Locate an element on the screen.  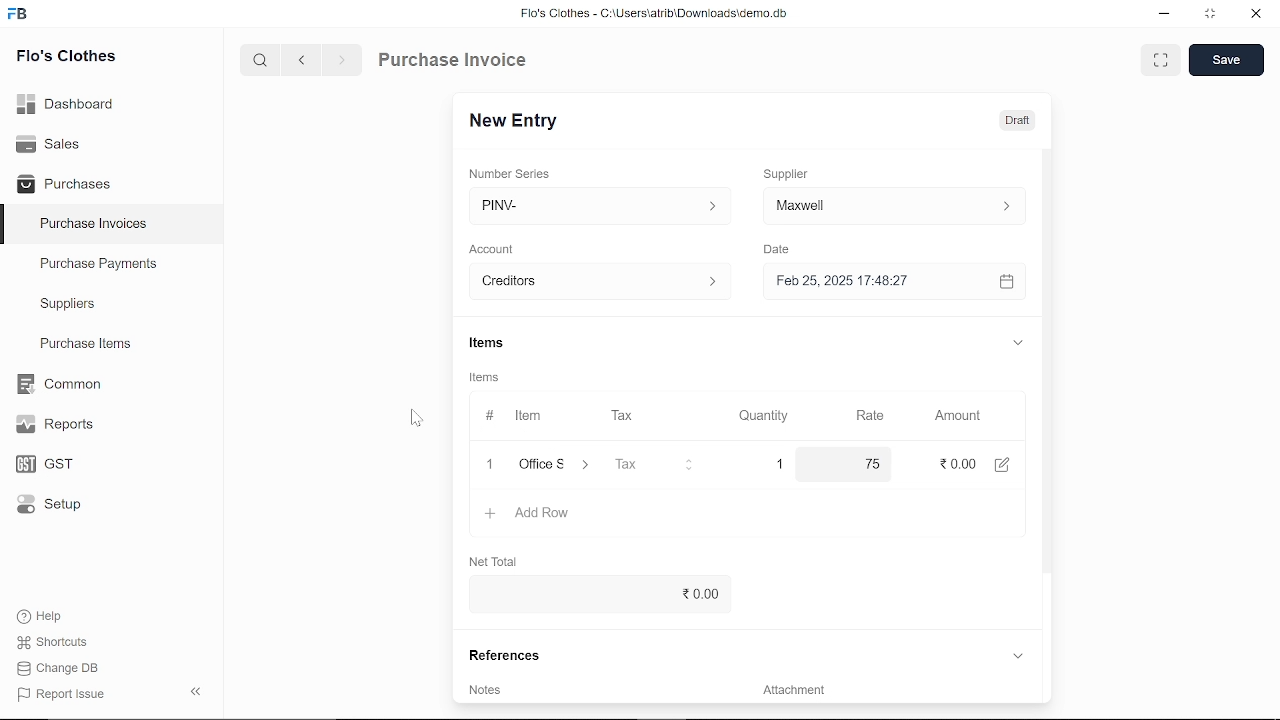
previous is located at coordinates (303, 62).